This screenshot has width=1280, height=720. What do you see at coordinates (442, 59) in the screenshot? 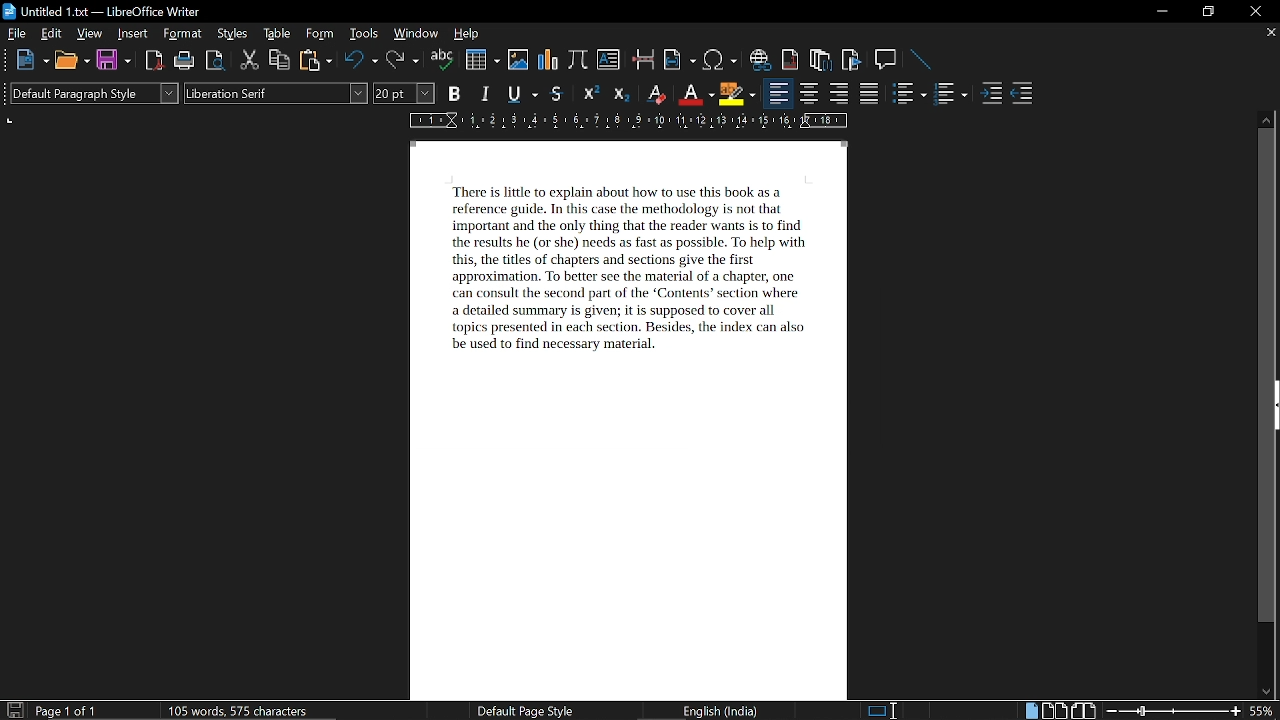
I see `spell check` at bounding box center [442, 59].